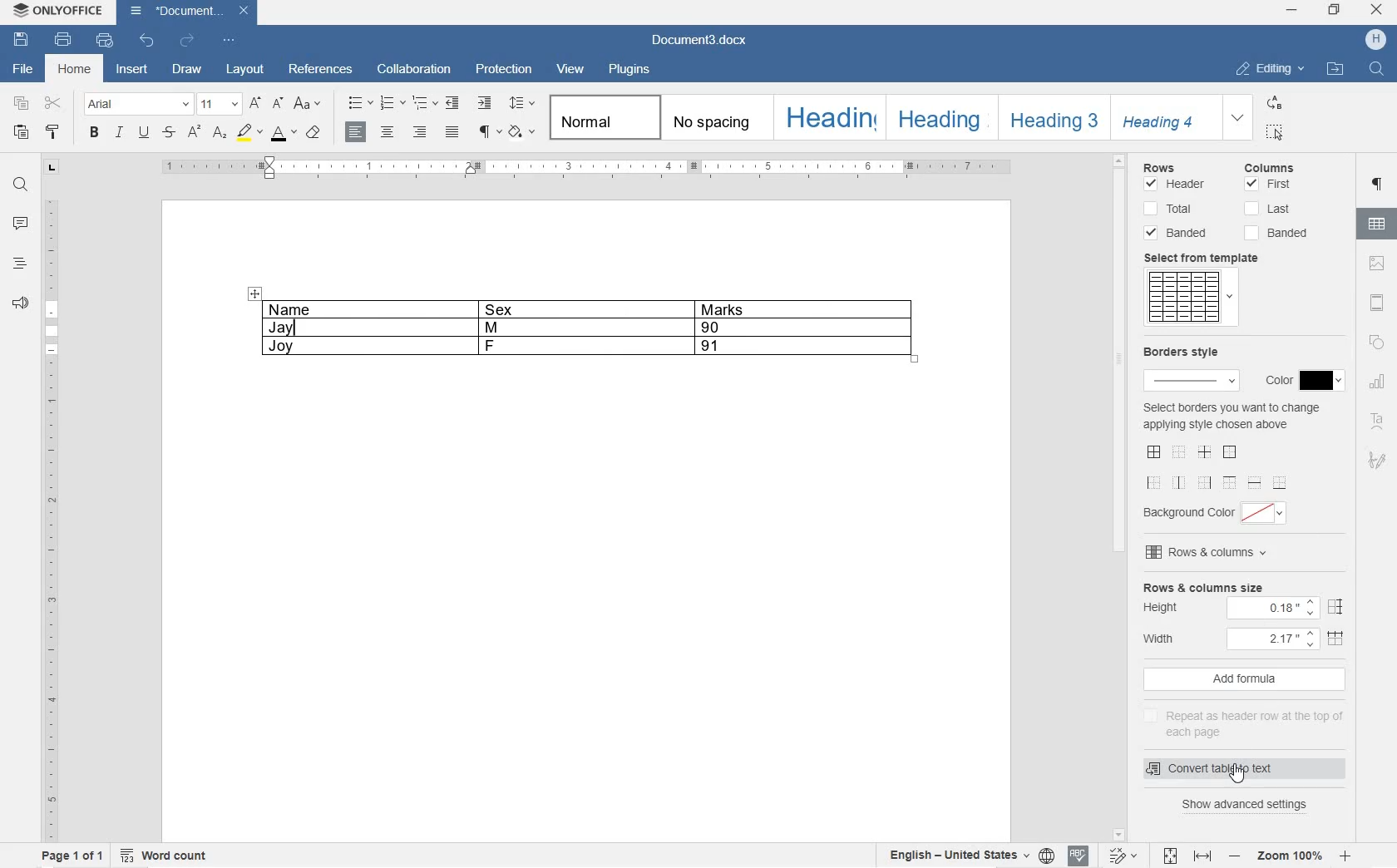  What do you see at coordinates (1249, 806) in the screenshot?
I see `show advanced settings` at bounding box center [1249, 806].